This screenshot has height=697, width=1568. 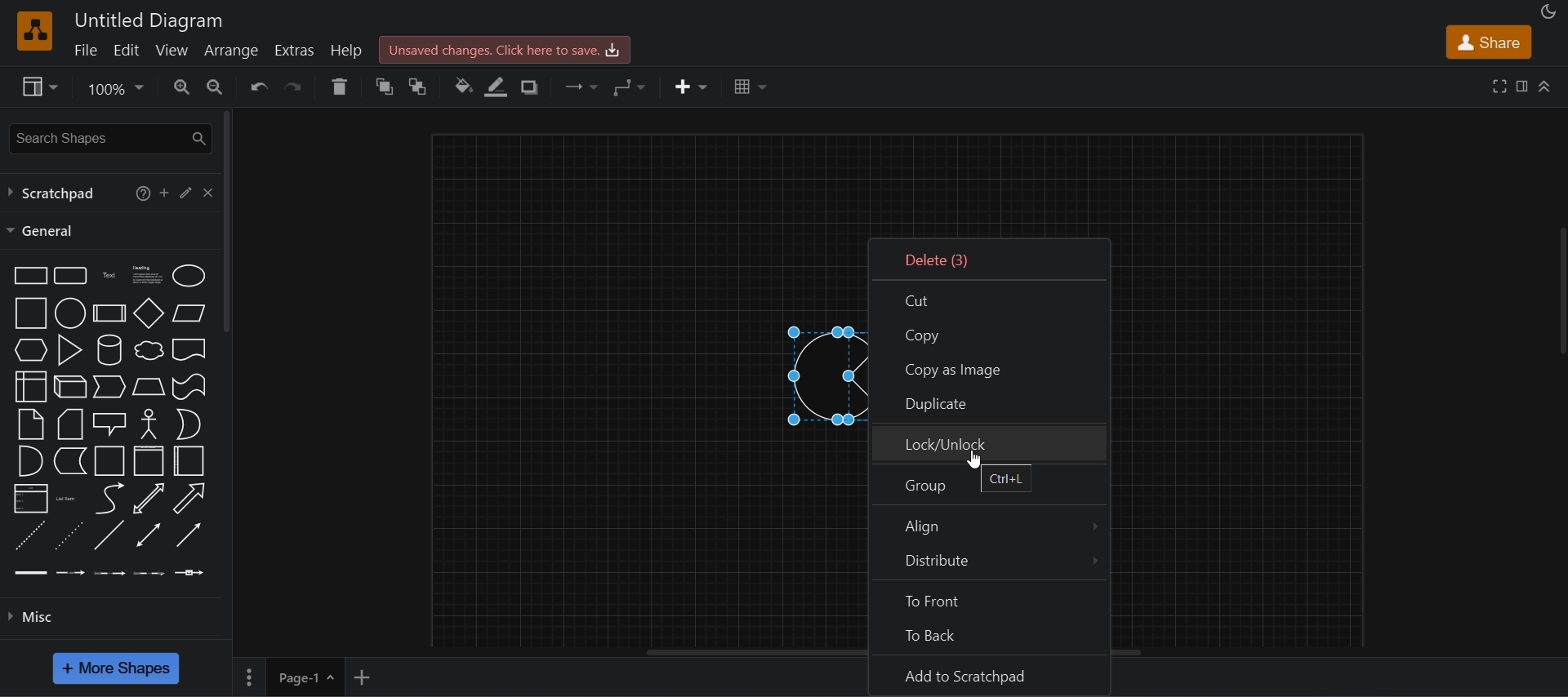 I want to click on or, so click(x=188, y=424).